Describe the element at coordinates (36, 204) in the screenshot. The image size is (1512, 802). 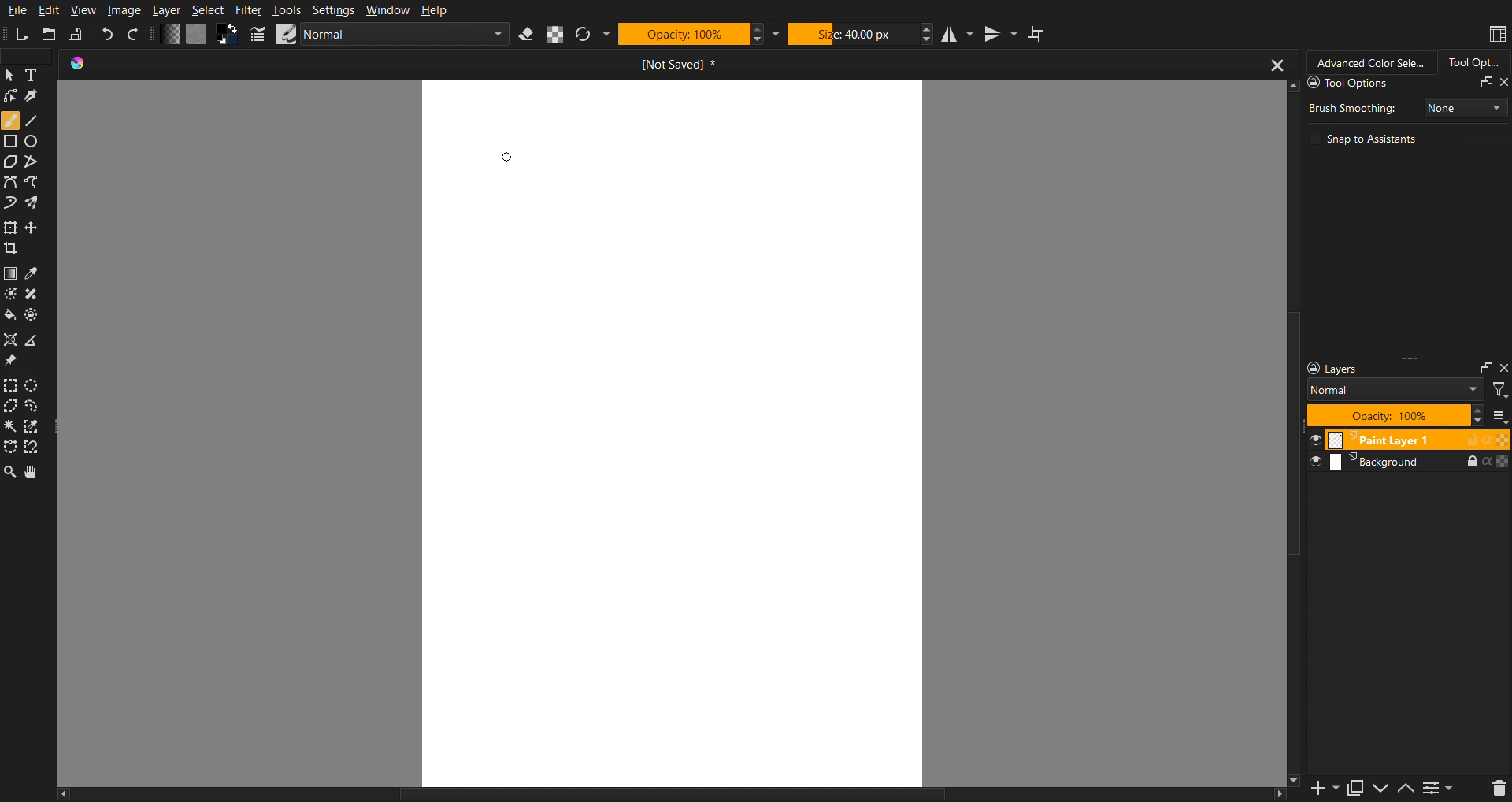
I see `Brush` at that location.